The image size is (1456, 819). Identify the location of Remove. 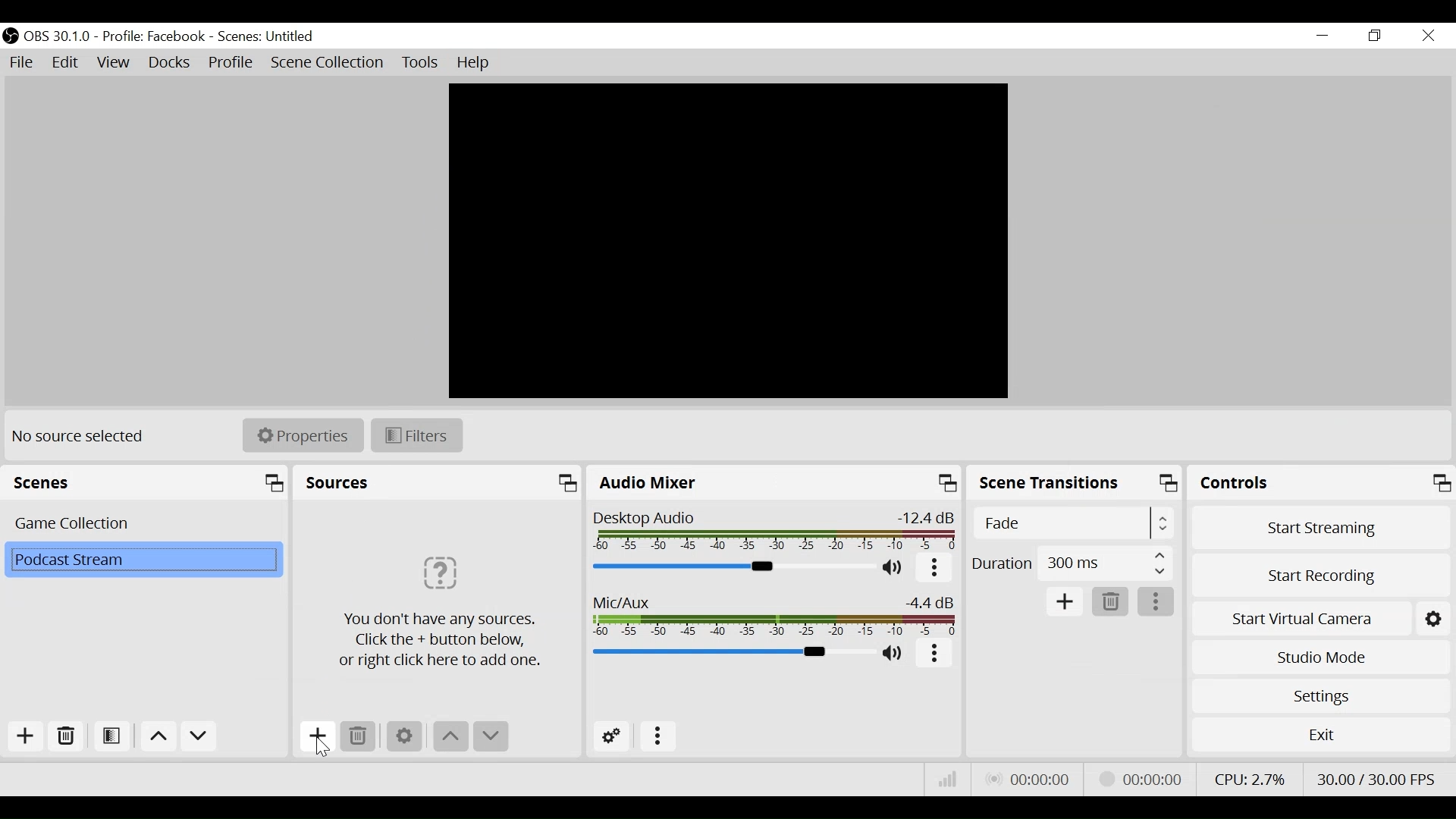
(64, 736).